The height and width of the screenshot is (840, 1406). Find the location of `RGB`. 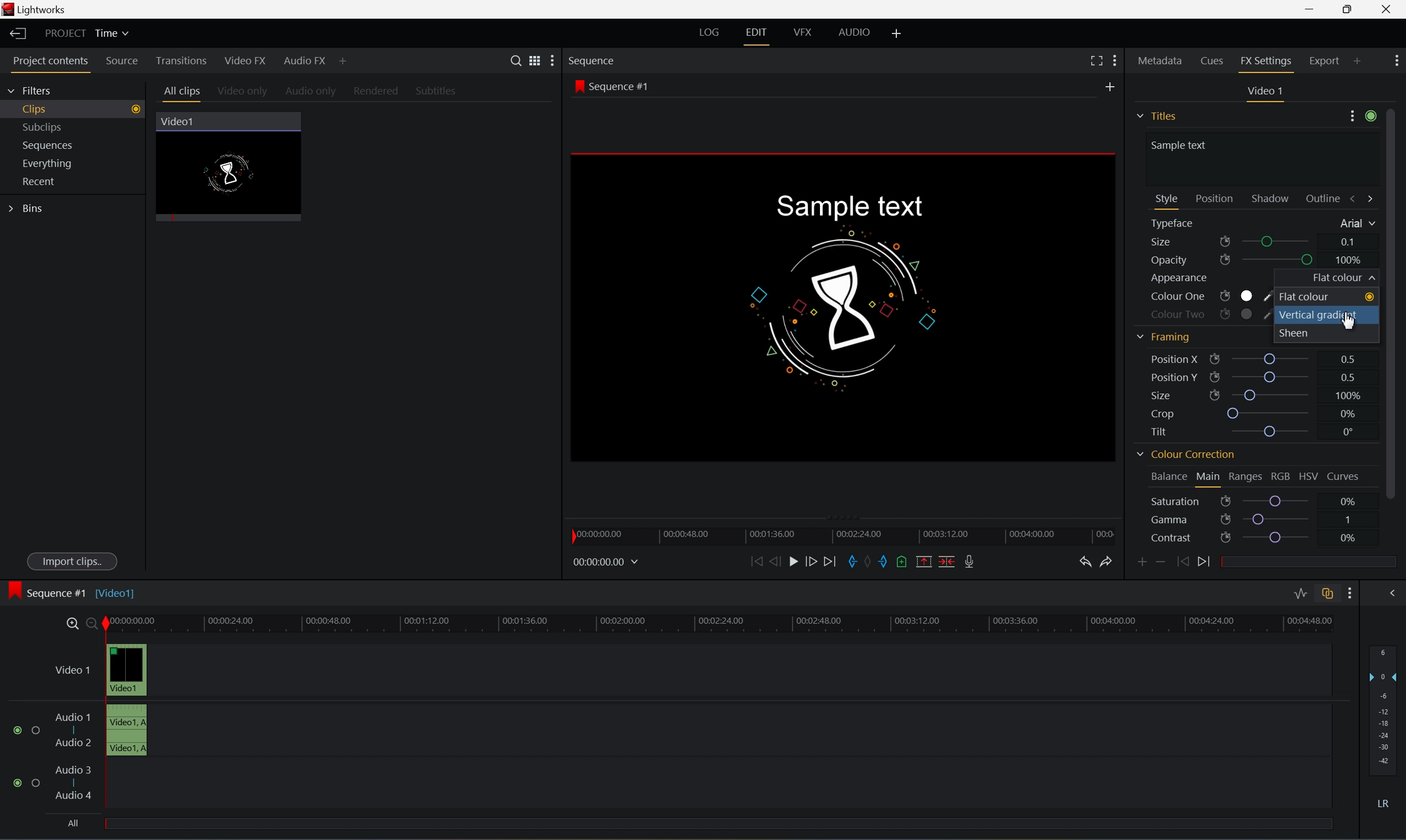

RGB is located at coordinates (1280, 476).